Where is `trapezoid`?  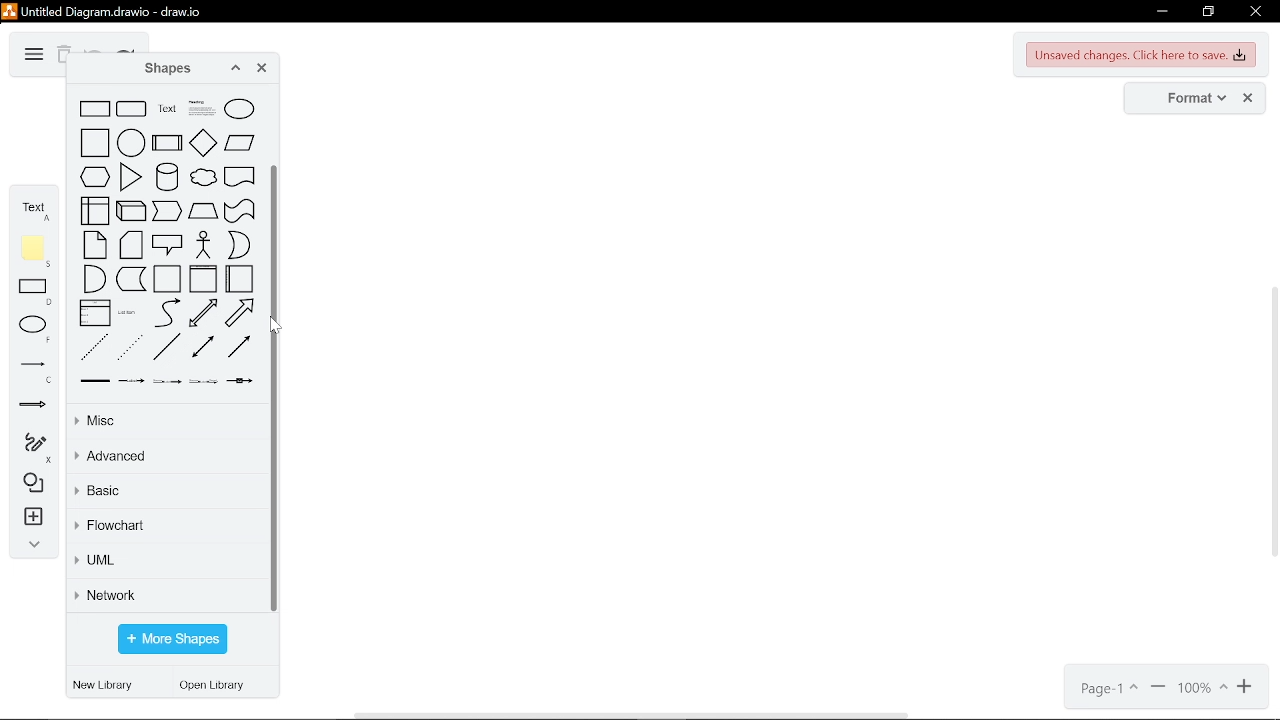 trapezoid is located at coordinates (203, 211).